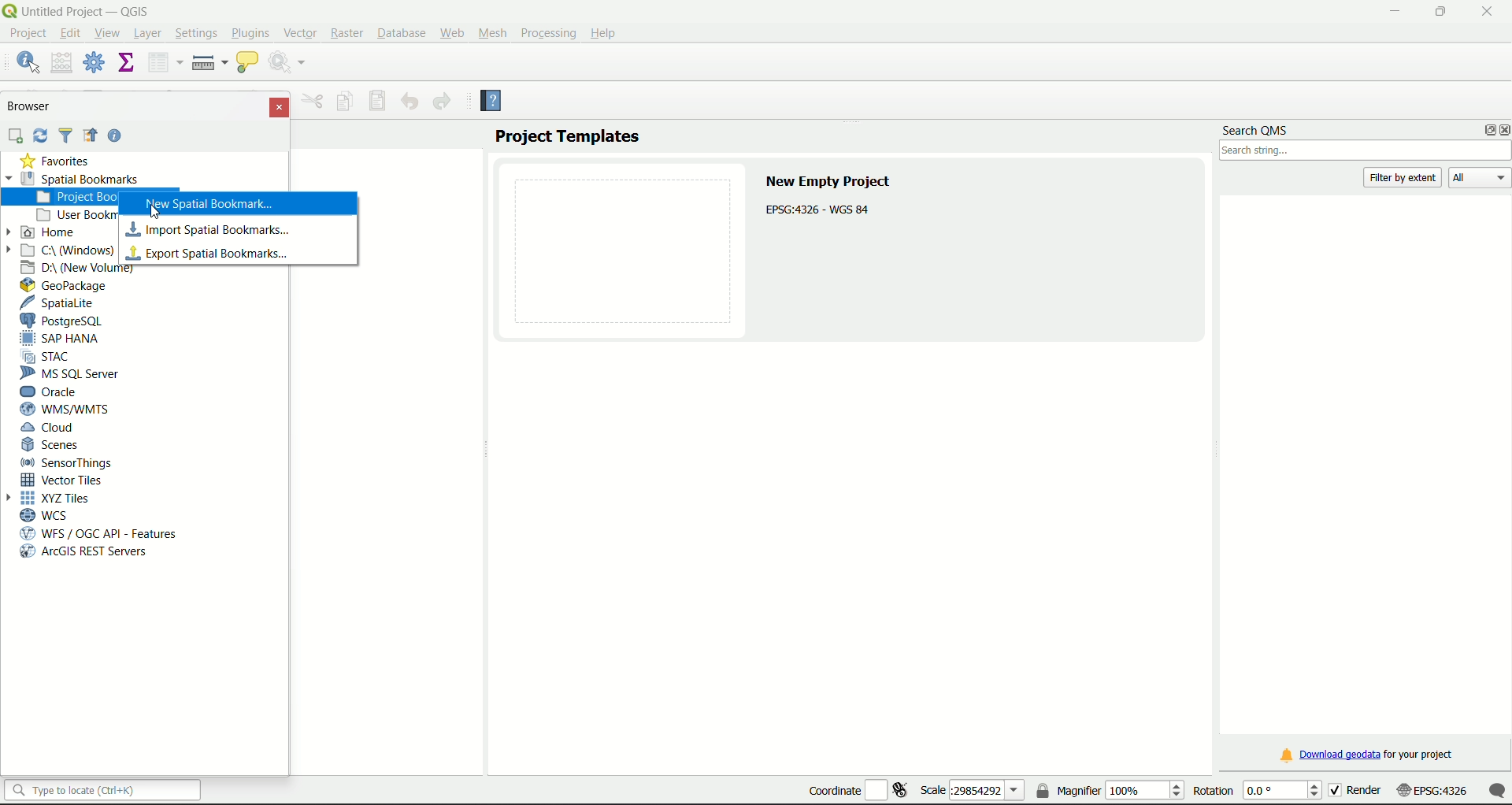 This screenshot has width=1512, height=805. What do you see at coordinates (1503, 131) in the screenshot?
I see `close` at bounding box center [1503, 131].